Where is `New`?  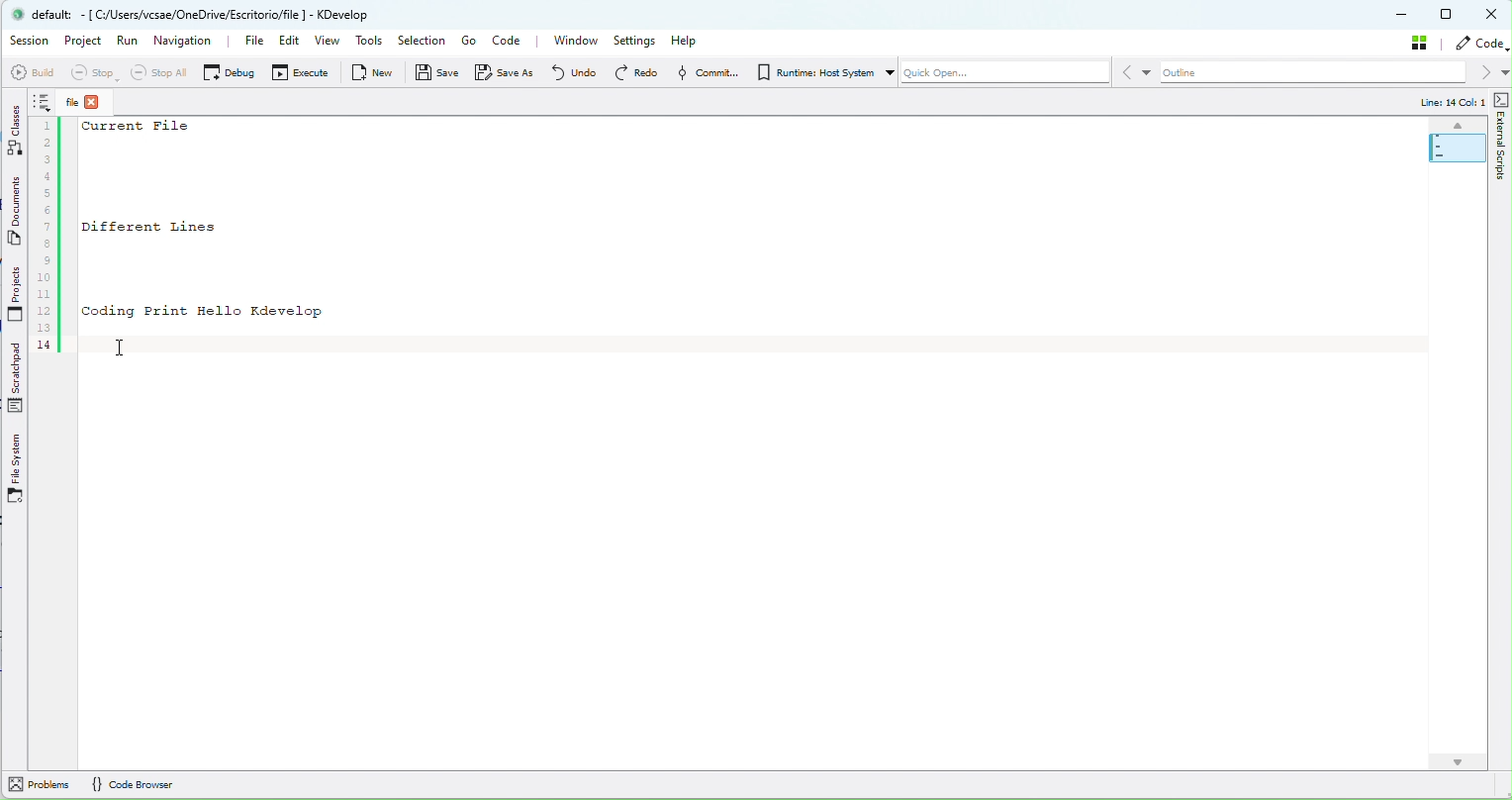 New is located at coordinates (376, 72).